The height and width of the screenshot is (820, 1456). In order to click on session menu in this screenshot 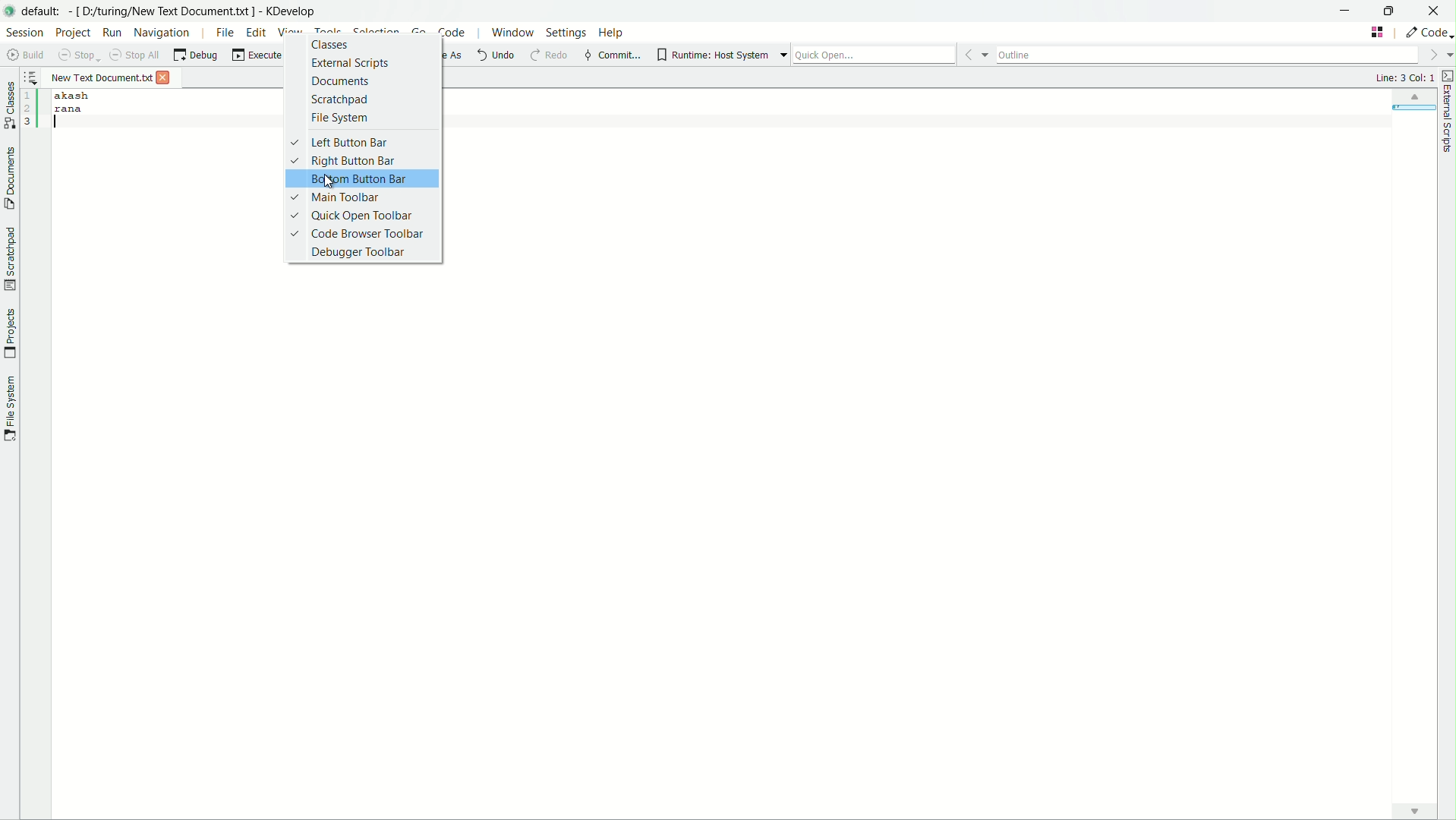, I will do `click(24, 32)`.